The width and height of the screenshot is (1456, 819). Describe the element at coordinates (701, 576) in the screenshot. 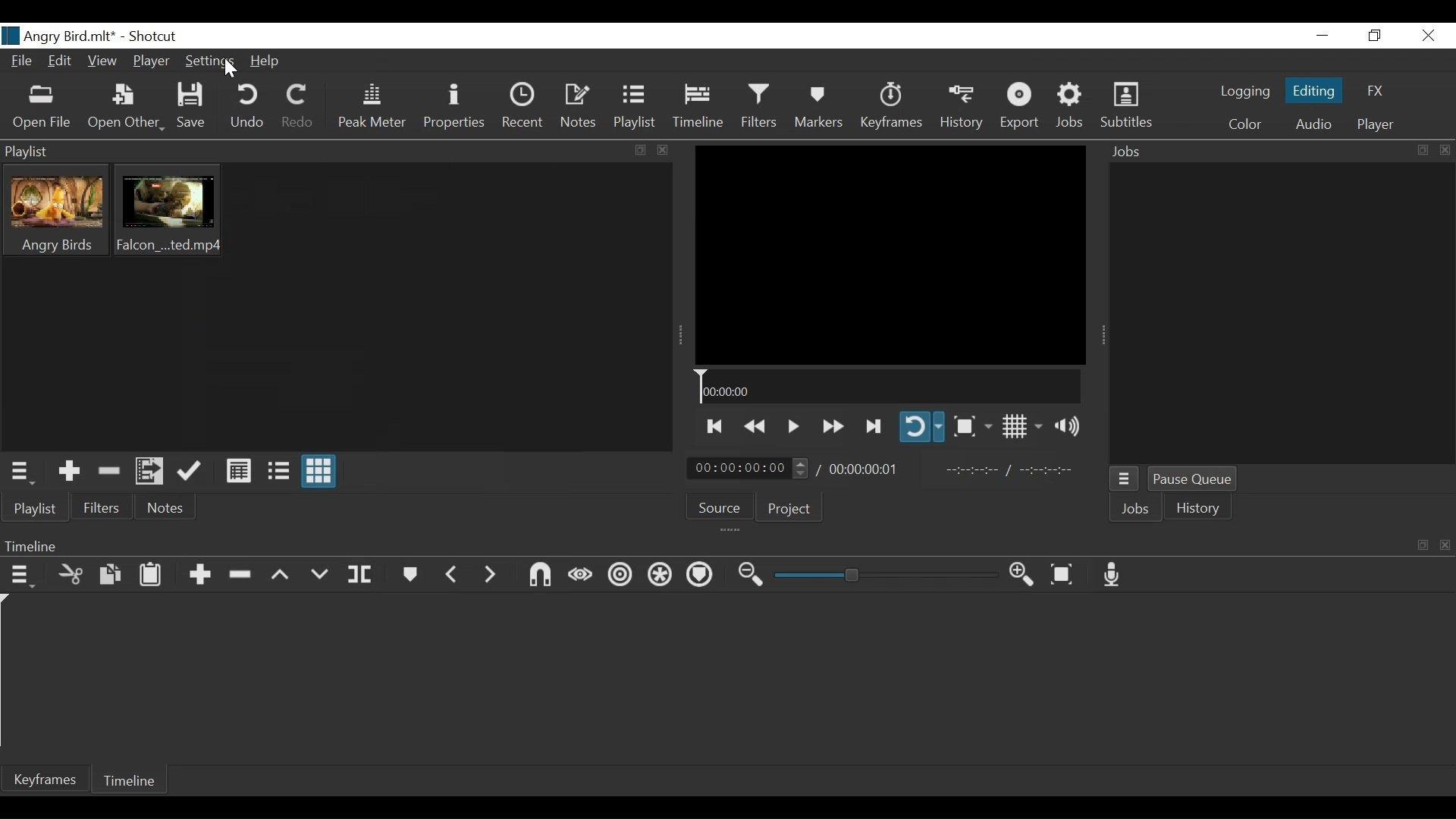

I see `Ripple markers` at that location.